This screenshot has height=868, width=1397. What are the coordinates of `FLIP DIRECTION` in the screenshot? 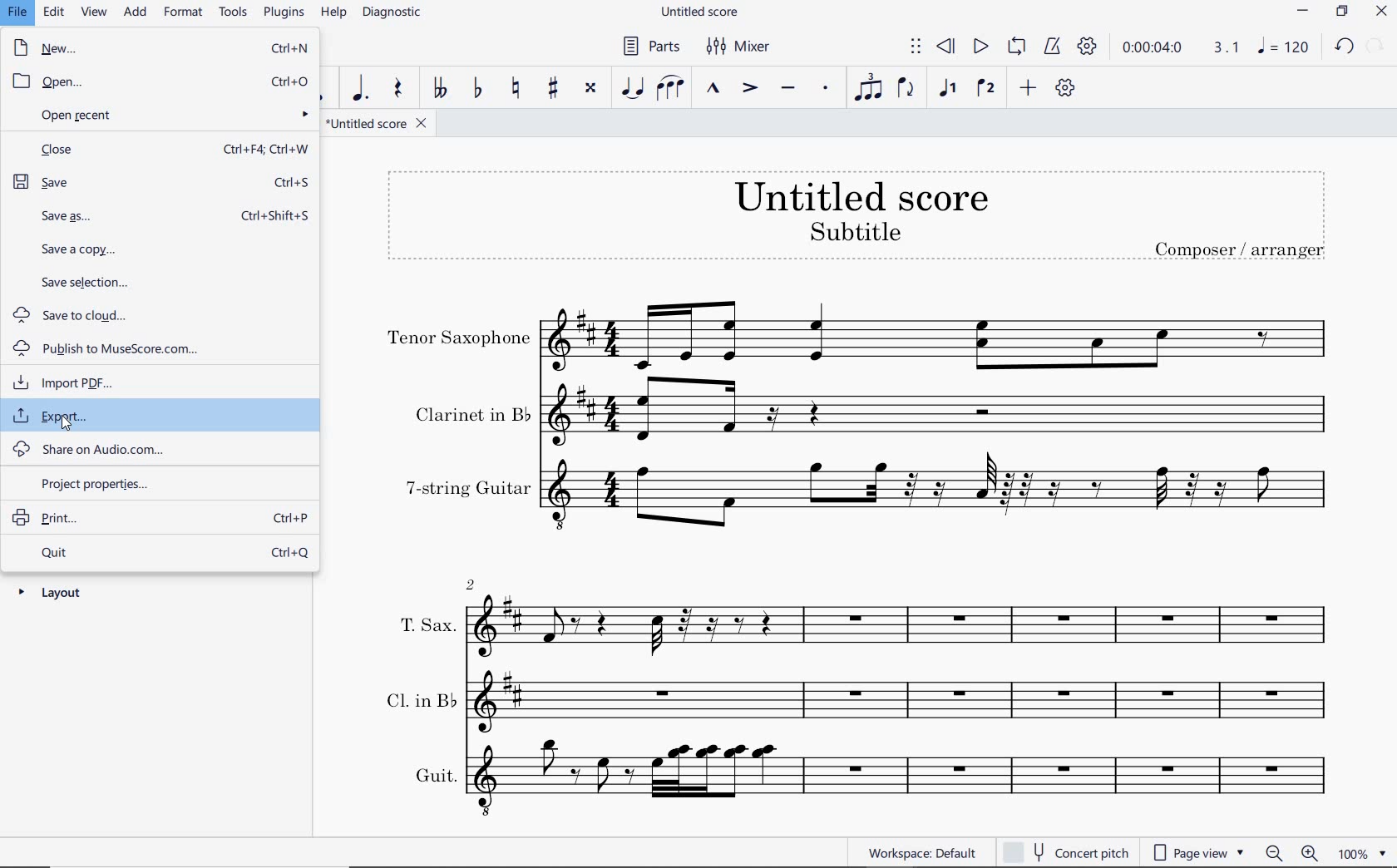 It's located at (907, 90).